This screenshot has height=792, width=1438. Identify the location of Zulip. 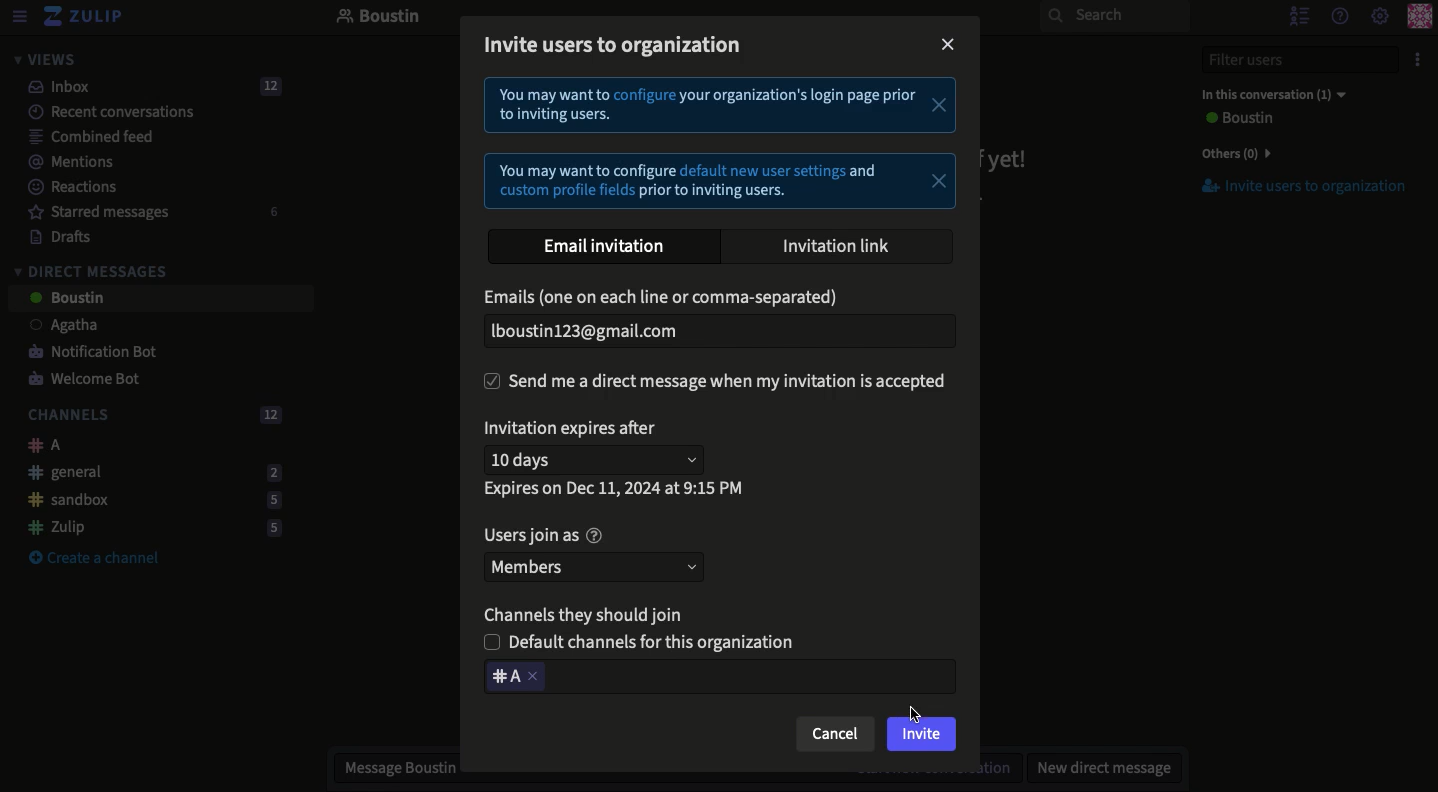
(148, 527).